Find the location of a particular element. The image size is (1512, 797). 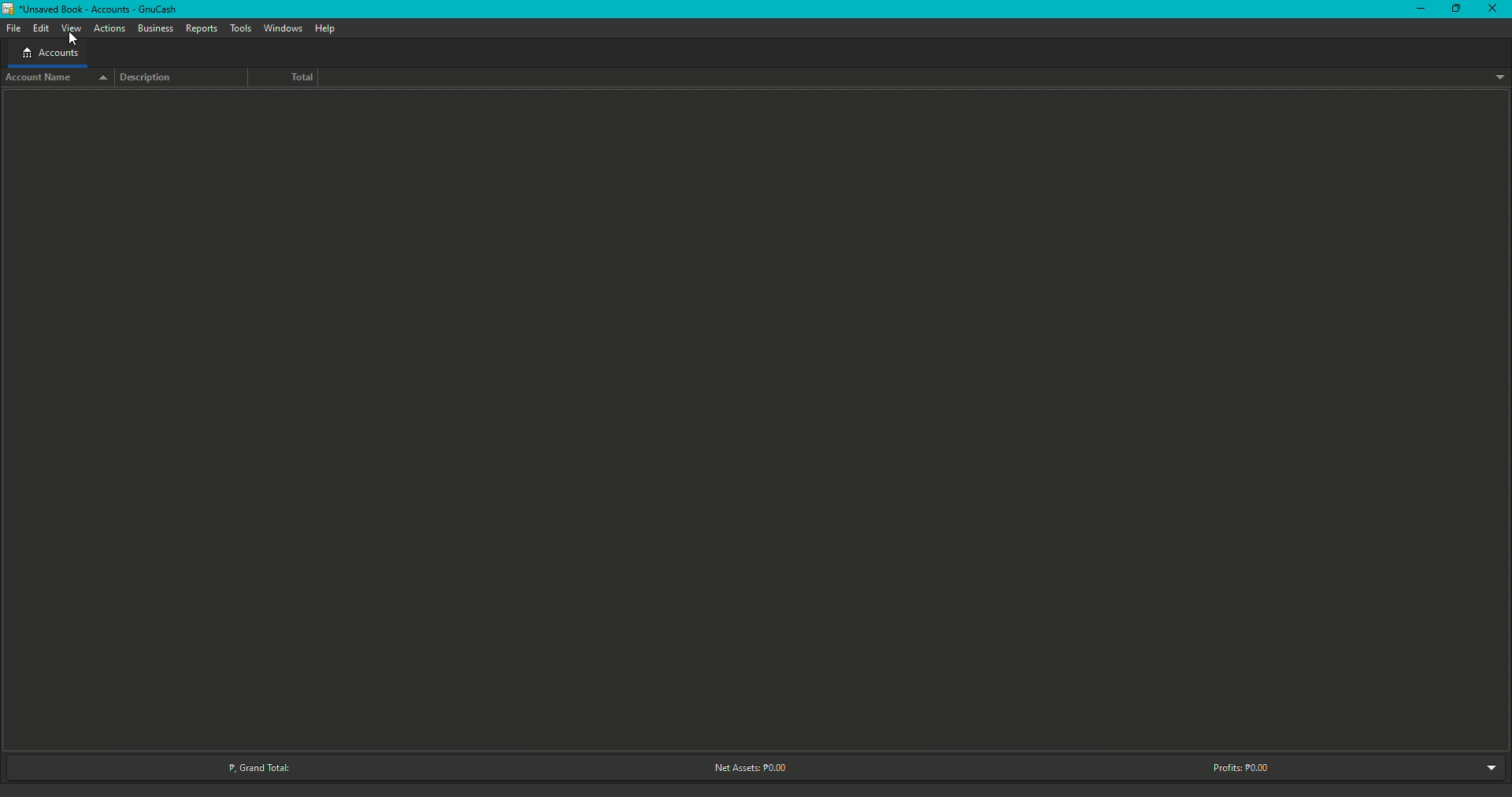

Actions is located at coordinates (108, 28).